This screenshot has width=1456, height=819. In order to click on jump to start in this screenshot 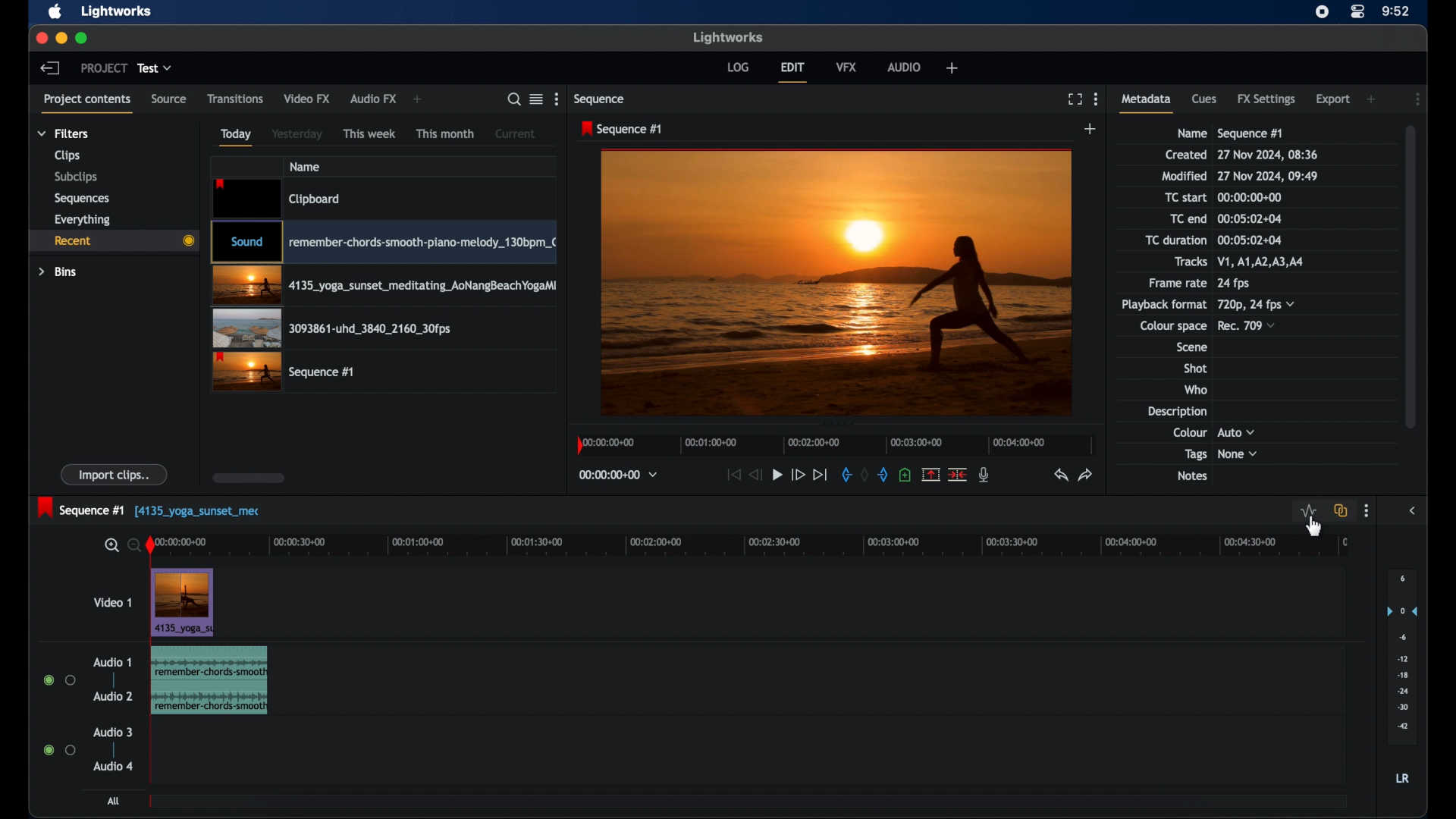, I will do `click(733, 474)`.